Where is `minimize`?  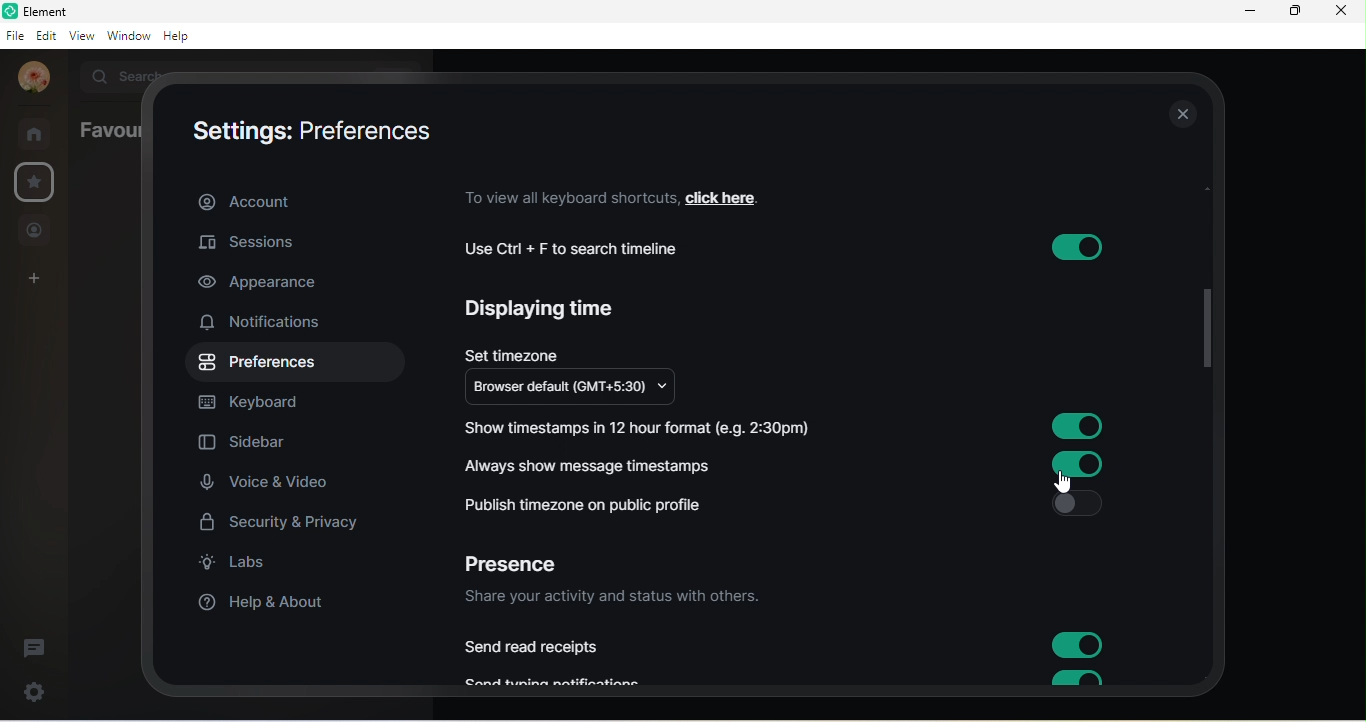
minimize is located at coordinates (1245, 14).